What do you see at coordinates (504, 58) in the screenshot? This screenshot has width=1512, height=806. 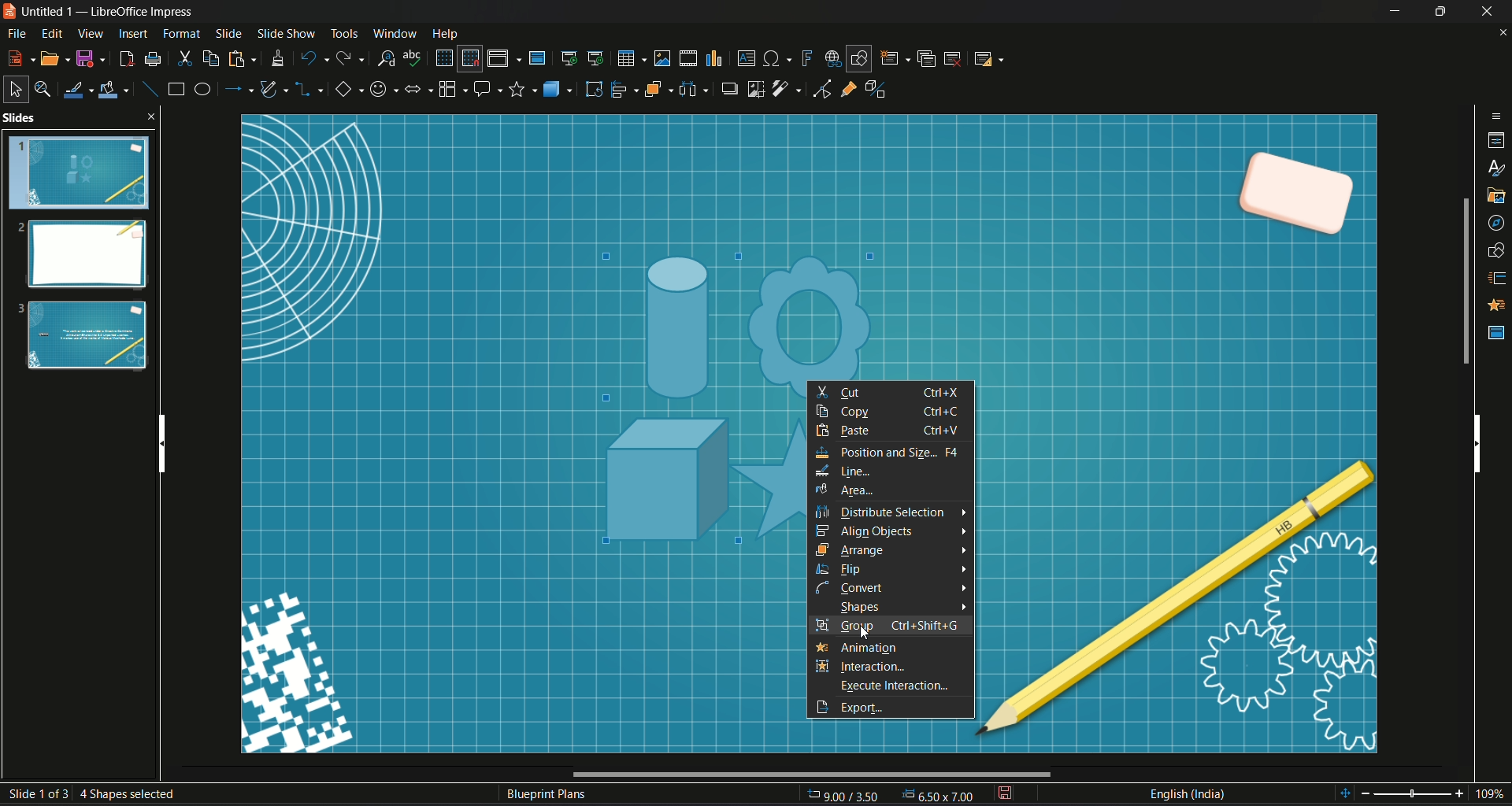 I see `display views` at bounding box center [504, 58].